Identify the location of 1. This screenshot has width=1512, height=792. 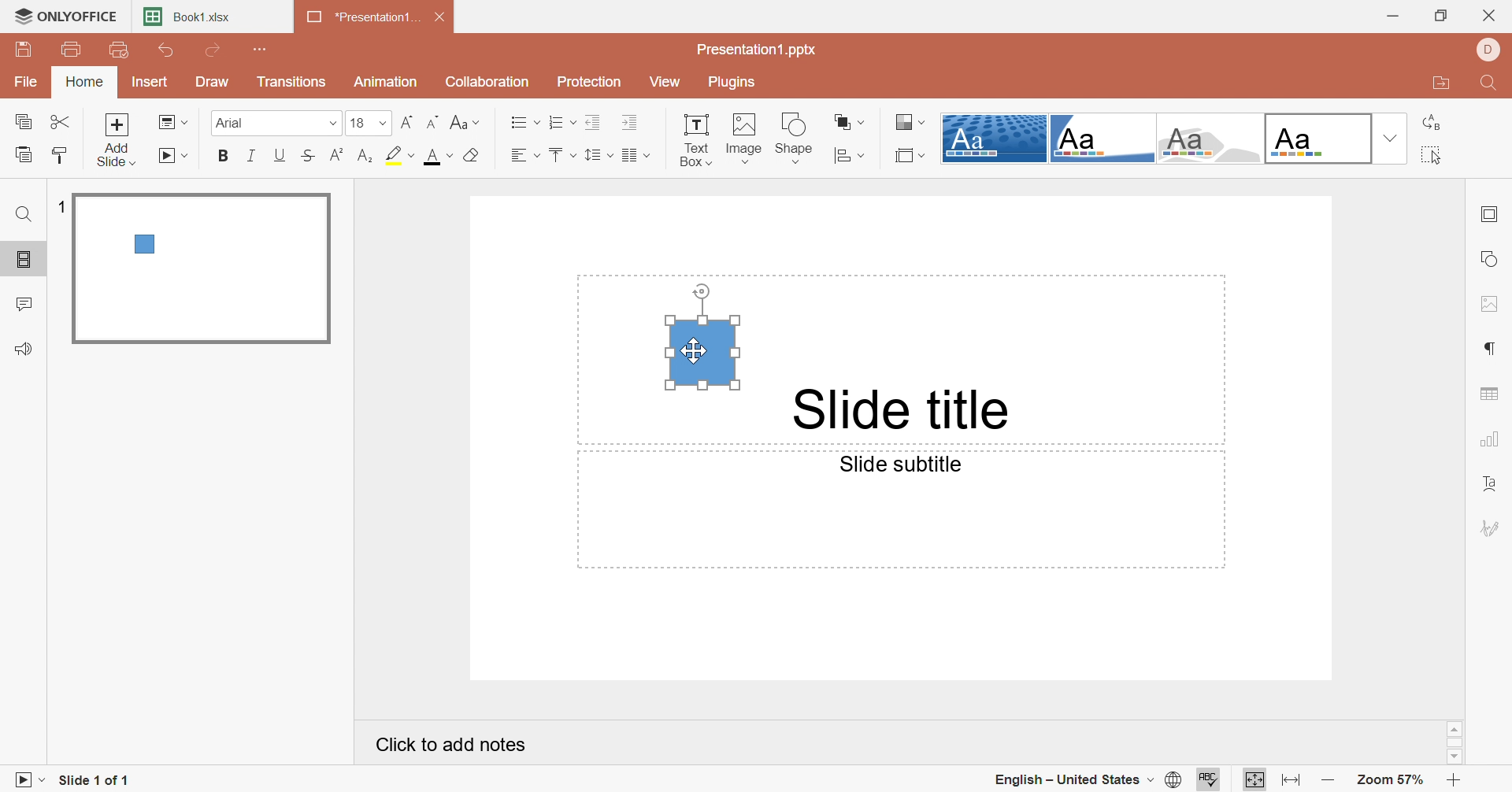
(59, 203).